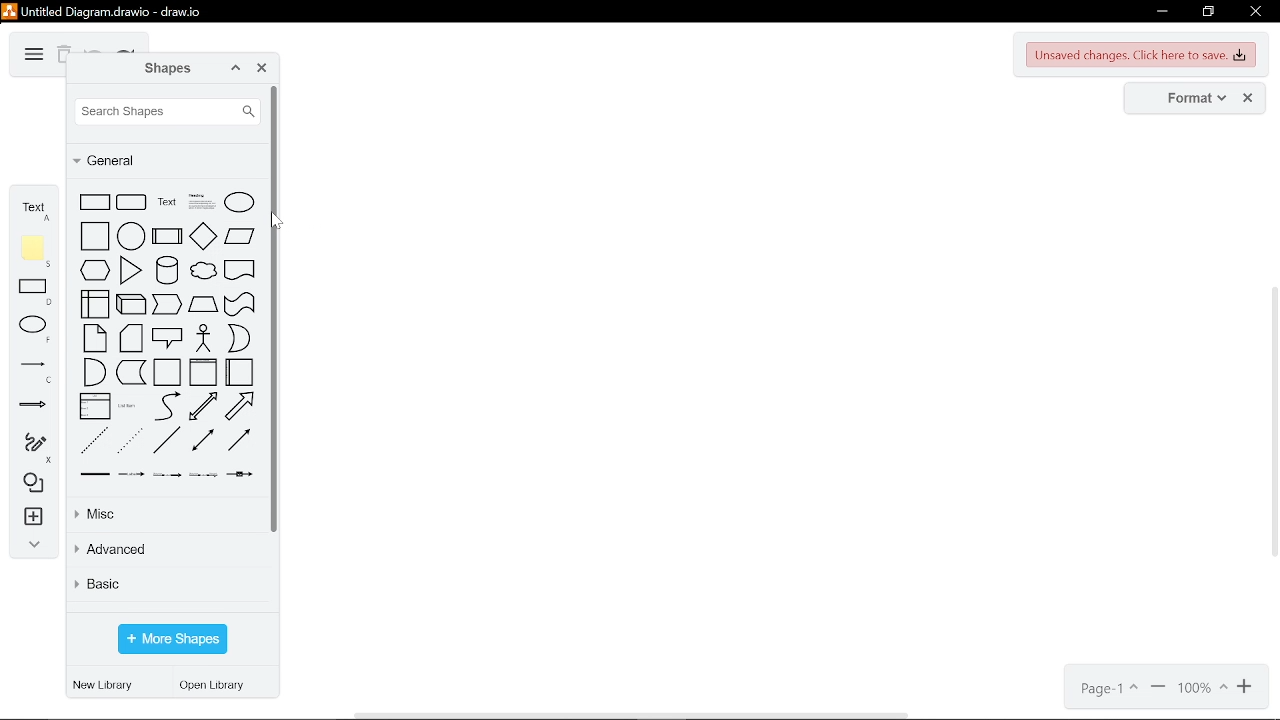  I want to click on bidirectional connector, so click(203, 440).